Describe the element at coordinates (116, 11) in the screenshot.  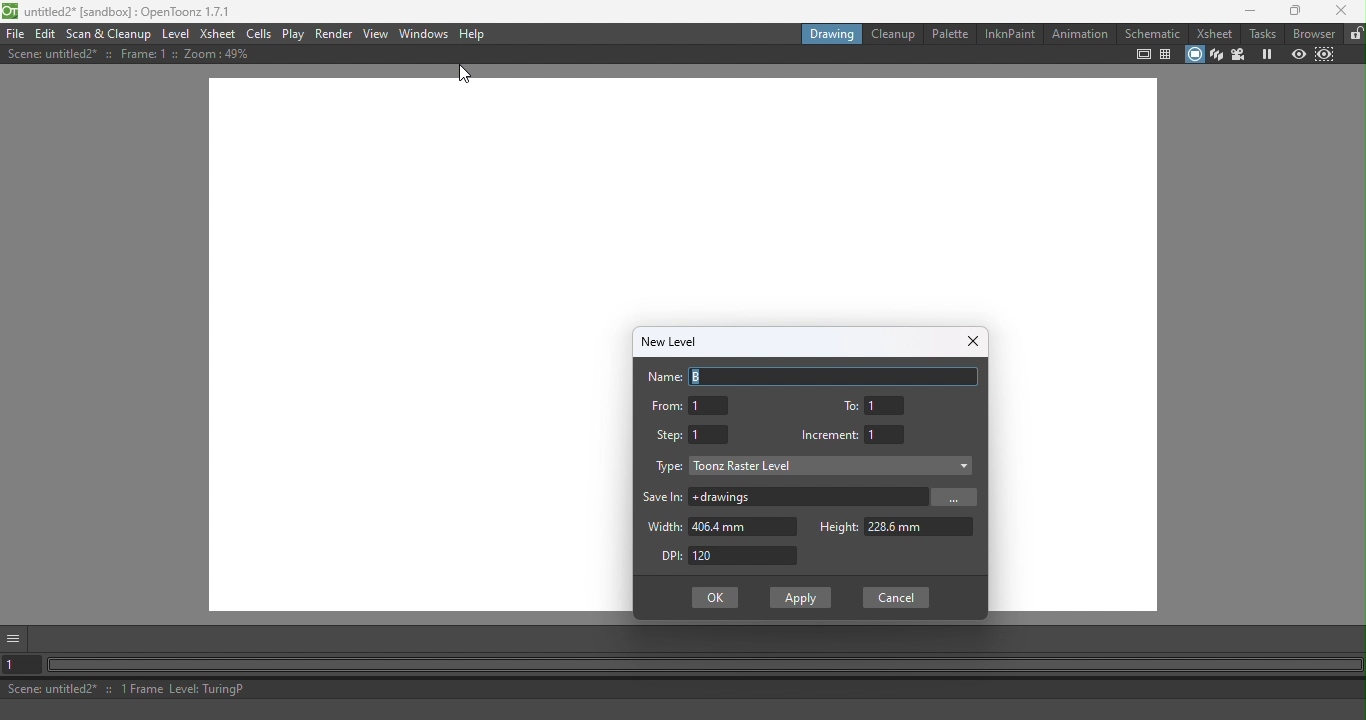
I see `File name` at that location.